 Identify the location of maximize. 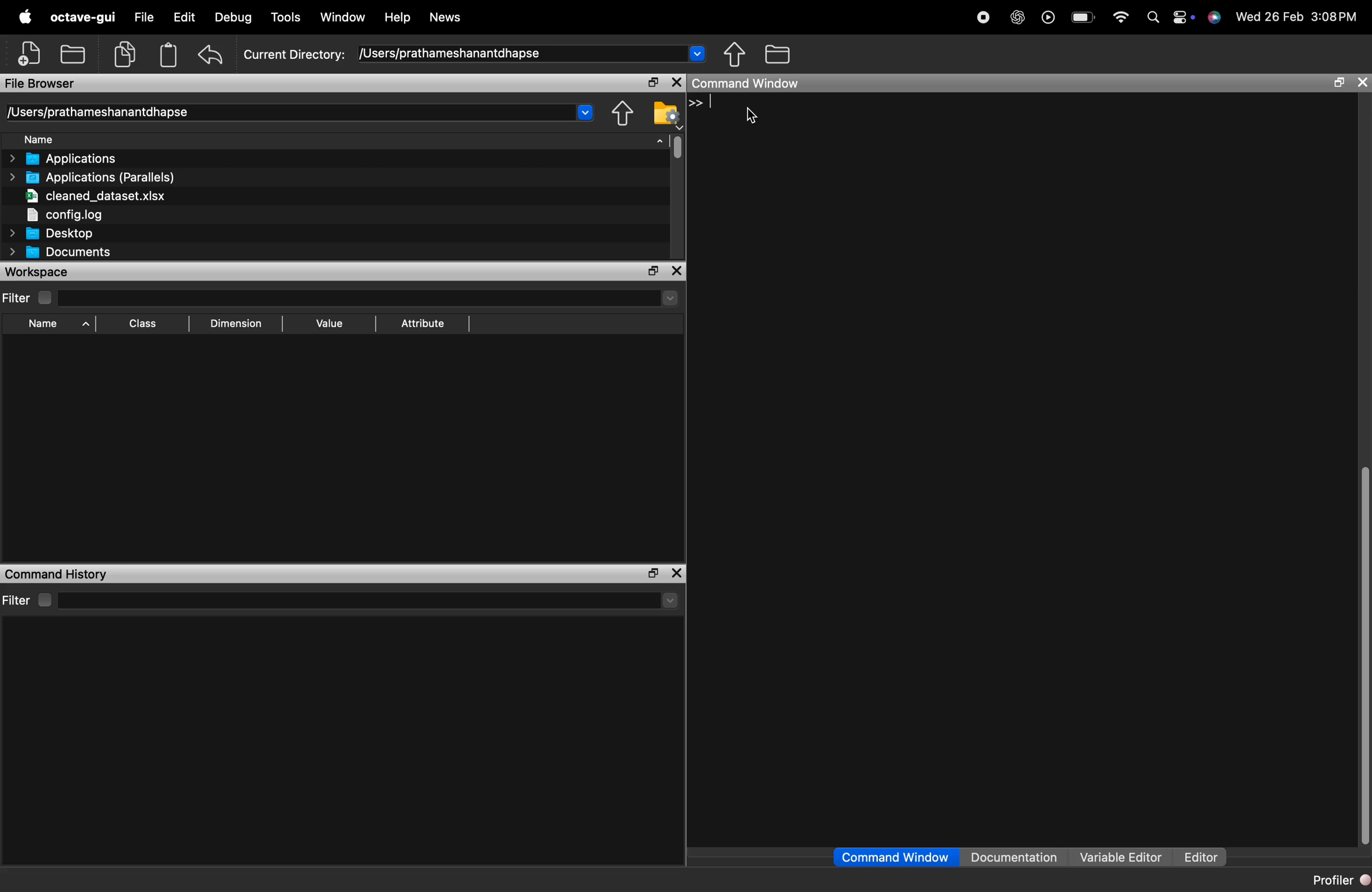
(652, 83).